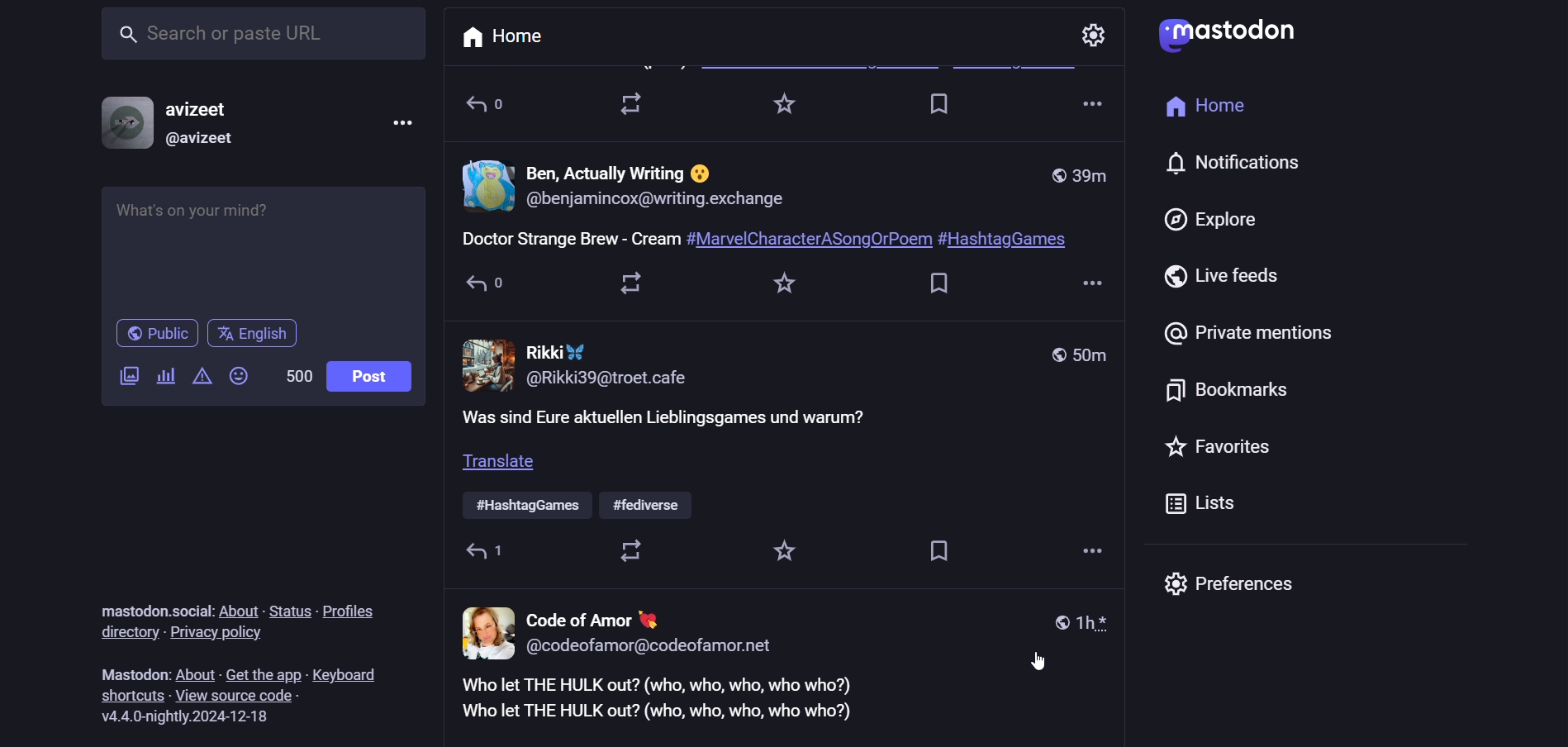 The height and width of the screenshot is (747, 1568). Describe the element at coordinates (677, 421) in the screenshot. I see `new post` at that location.